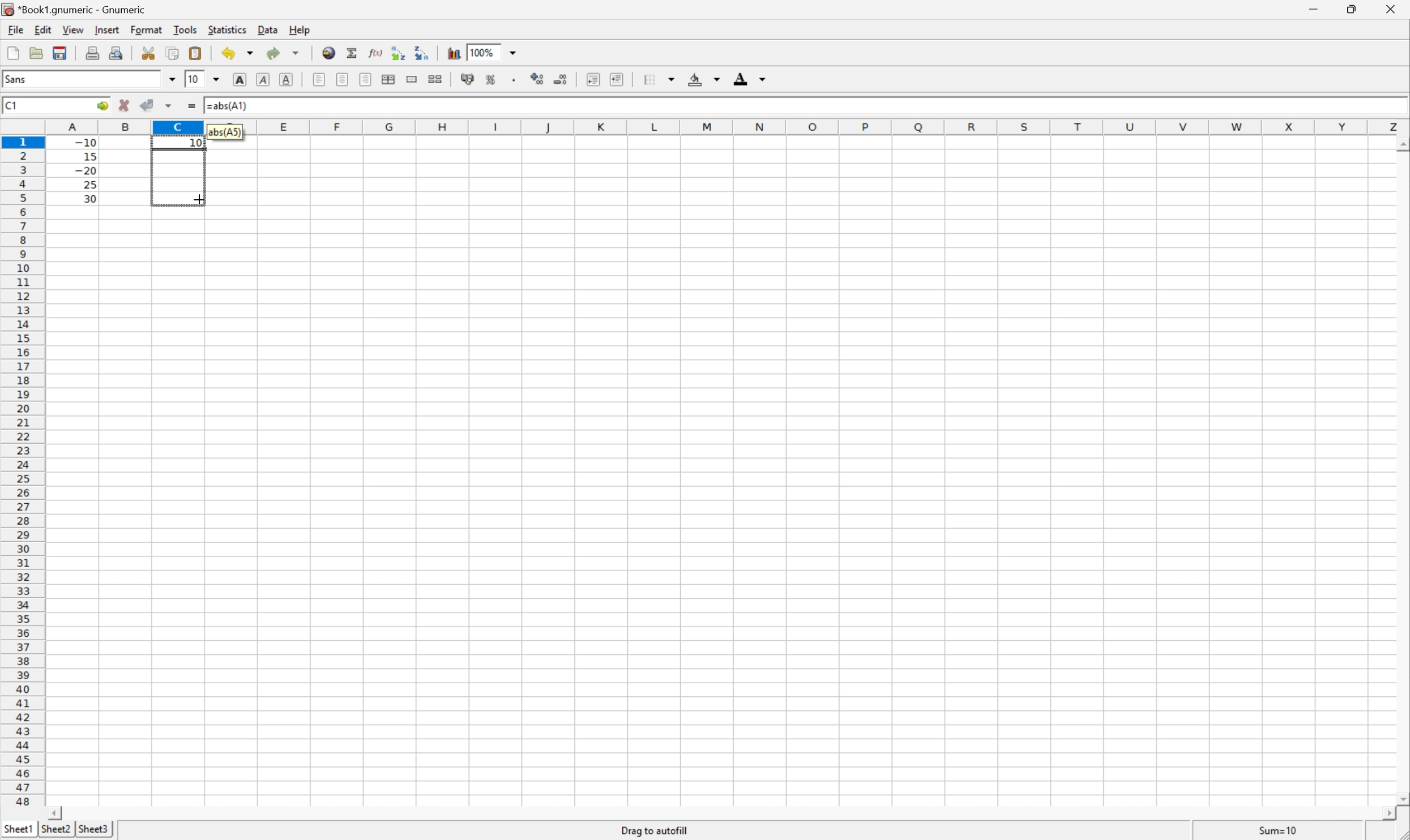  What do you see at coordinates (186, 29) in the screenshot?
I see `Tools` at bounding box center [186, 29].